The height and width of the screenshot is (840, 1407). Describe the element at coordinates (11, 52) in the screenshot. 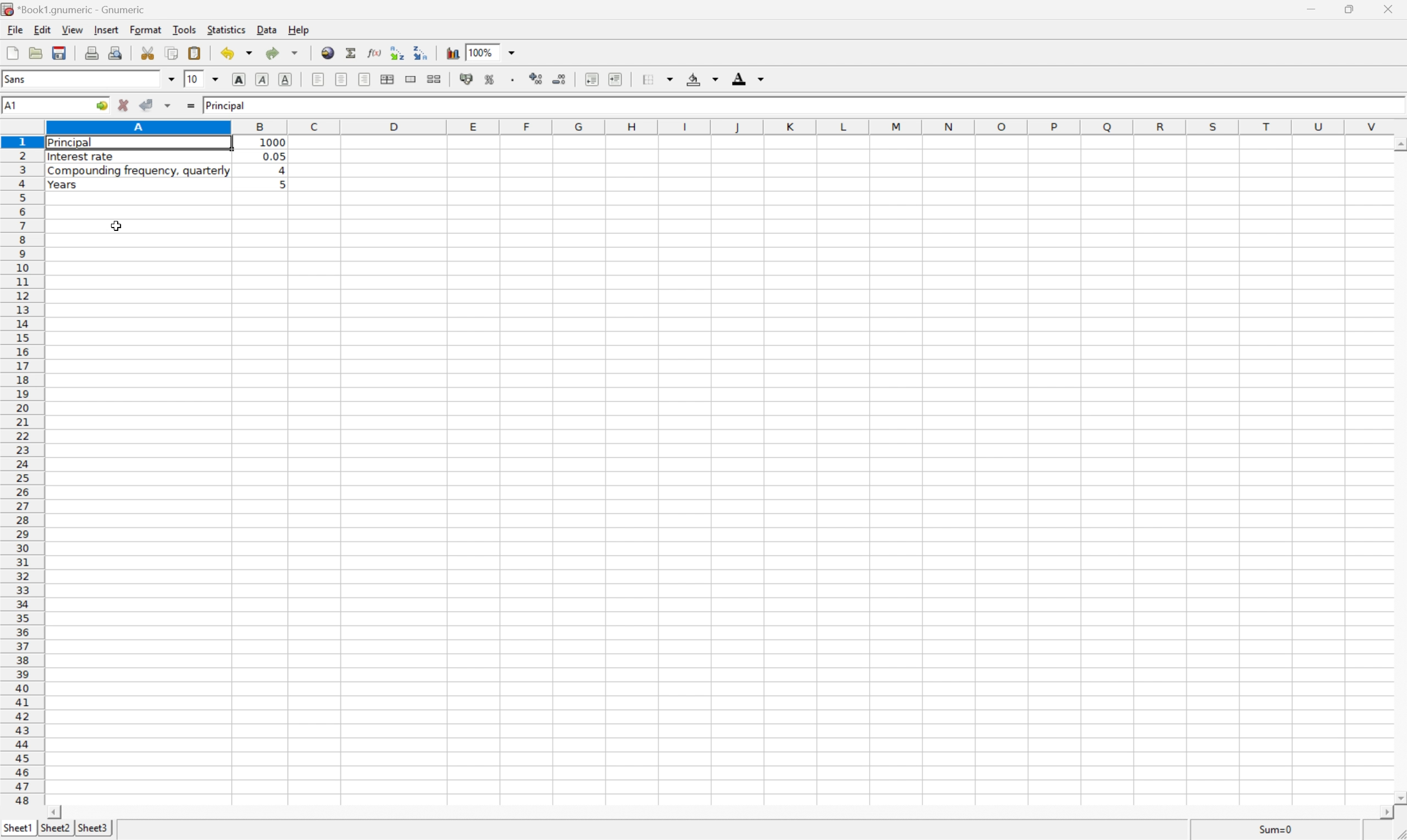

I see `new` at that location.